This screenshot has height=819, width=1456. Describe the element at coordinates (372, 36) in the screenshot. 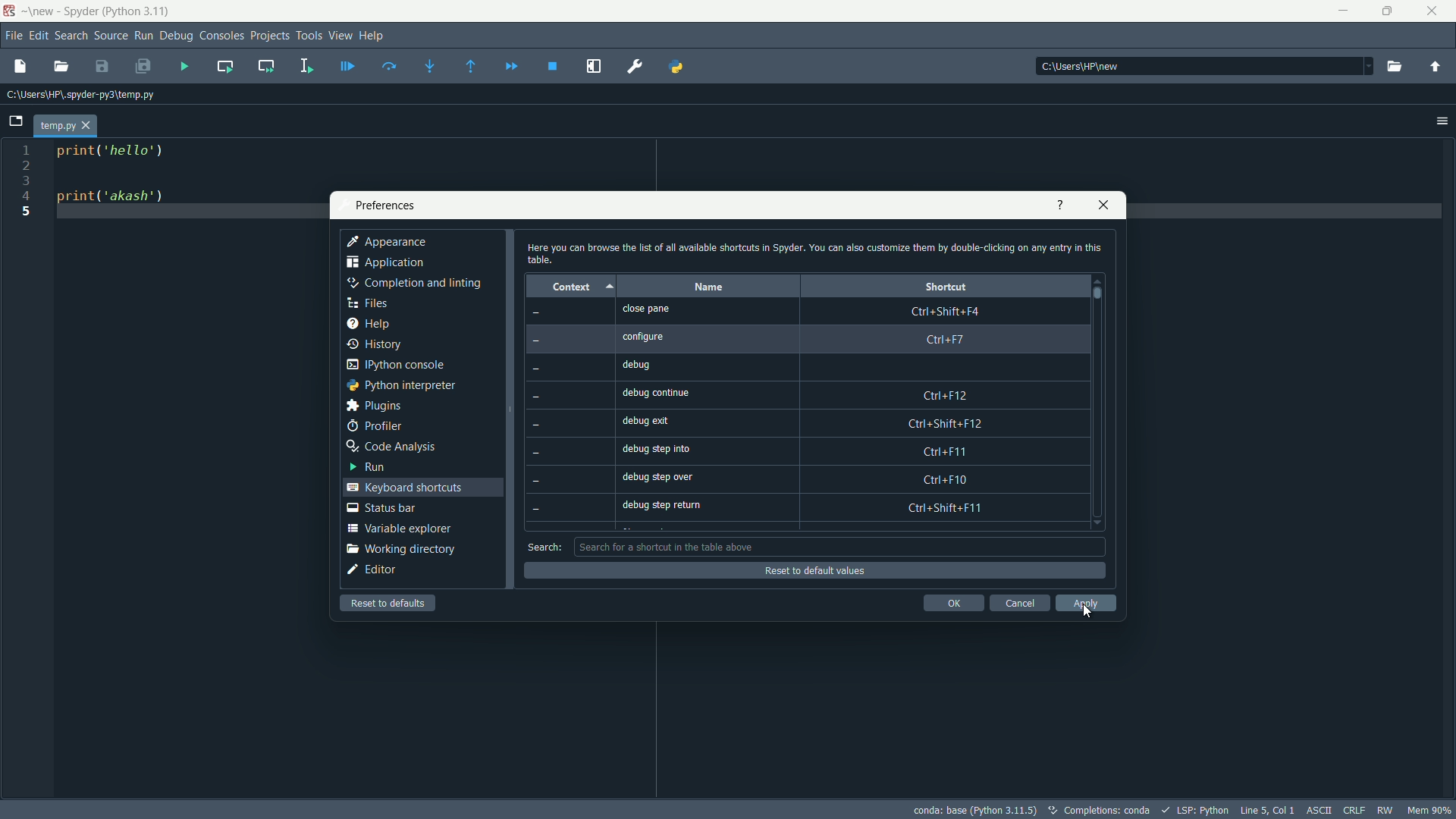

I see `help menu` at that location.